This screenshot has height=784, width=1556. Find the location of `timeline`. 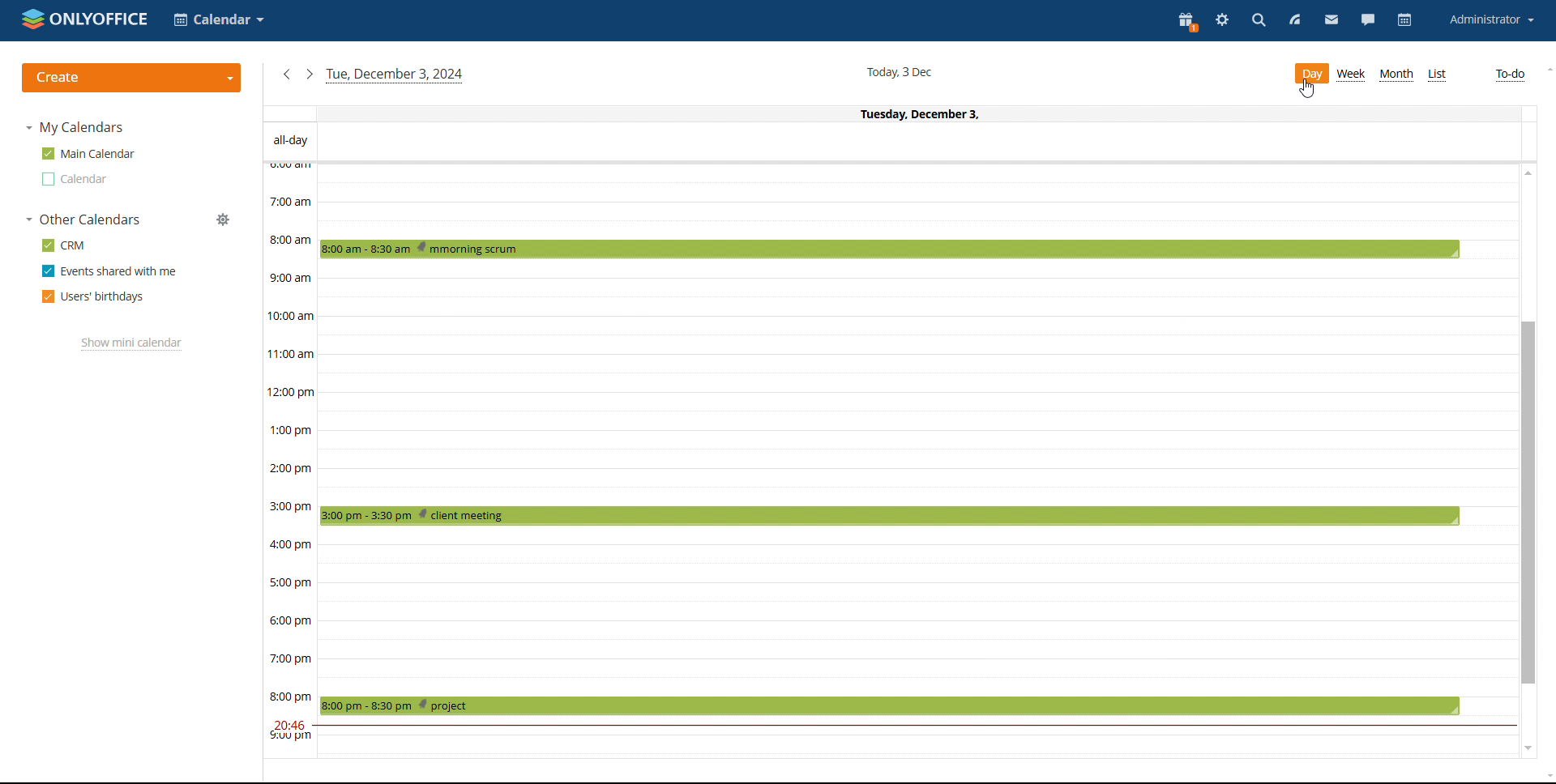

timeline is located at coordinates (289, 460).